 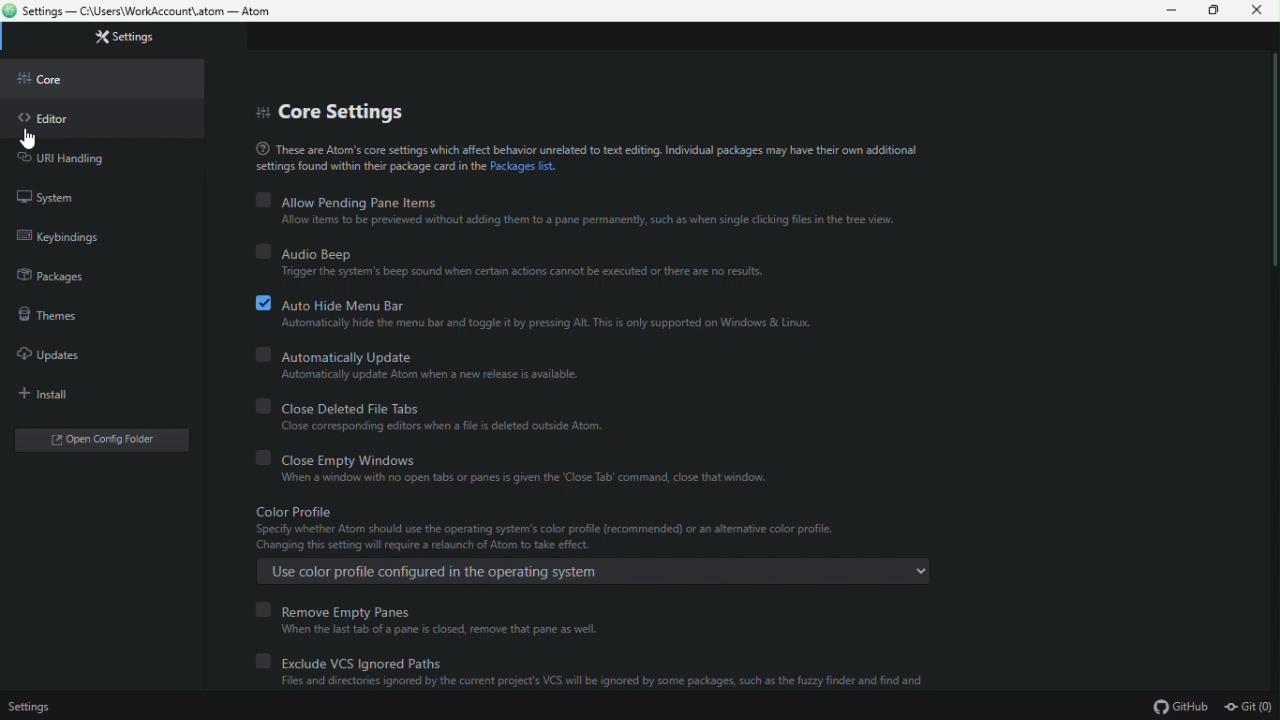 What do you see at coordinates (524, 458) in the screenshot?
I see `Close empty Windows` at bounding box center [524, 458].